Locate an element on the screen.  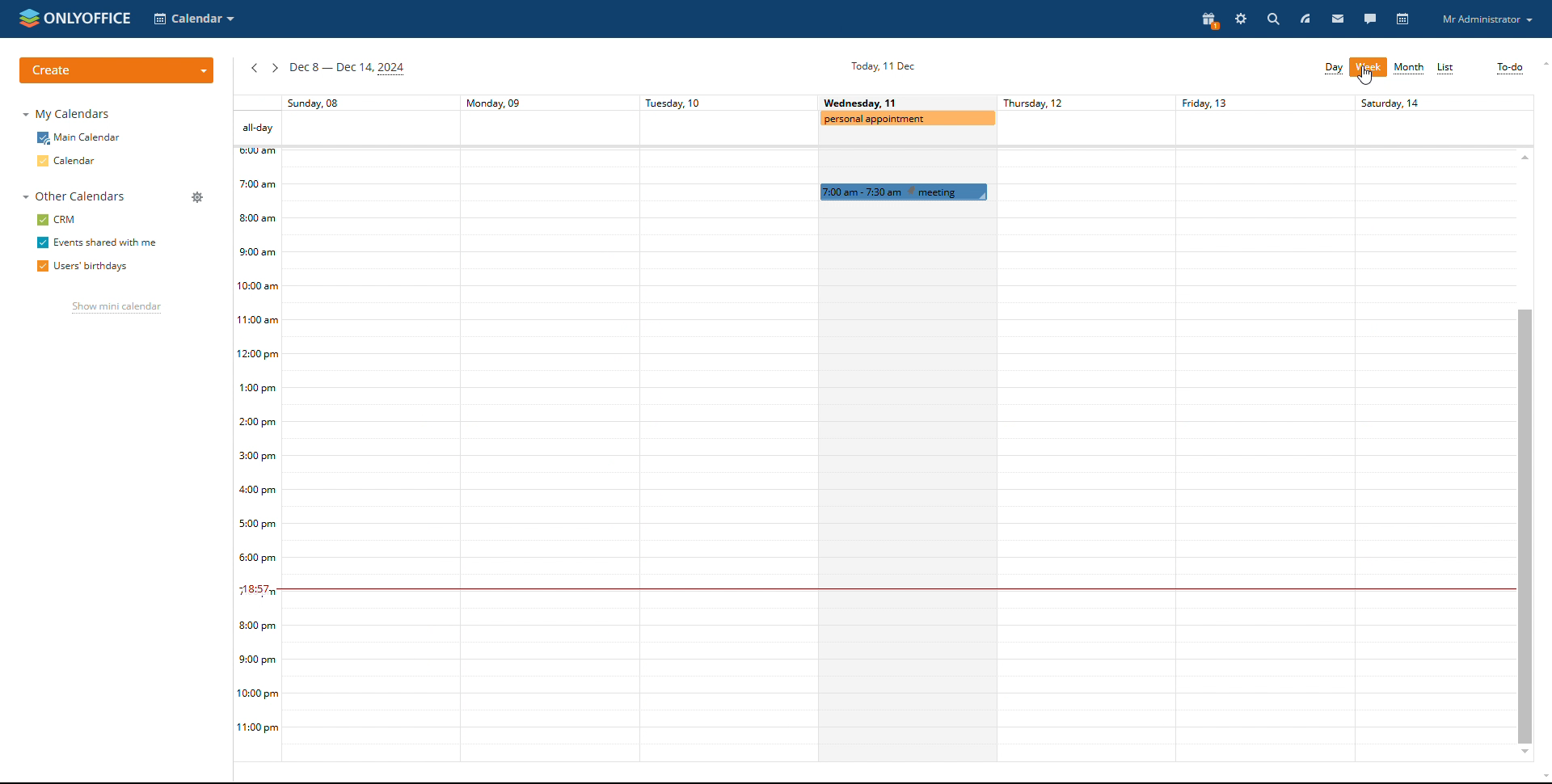
week view is located at coordinates (1369, 68).